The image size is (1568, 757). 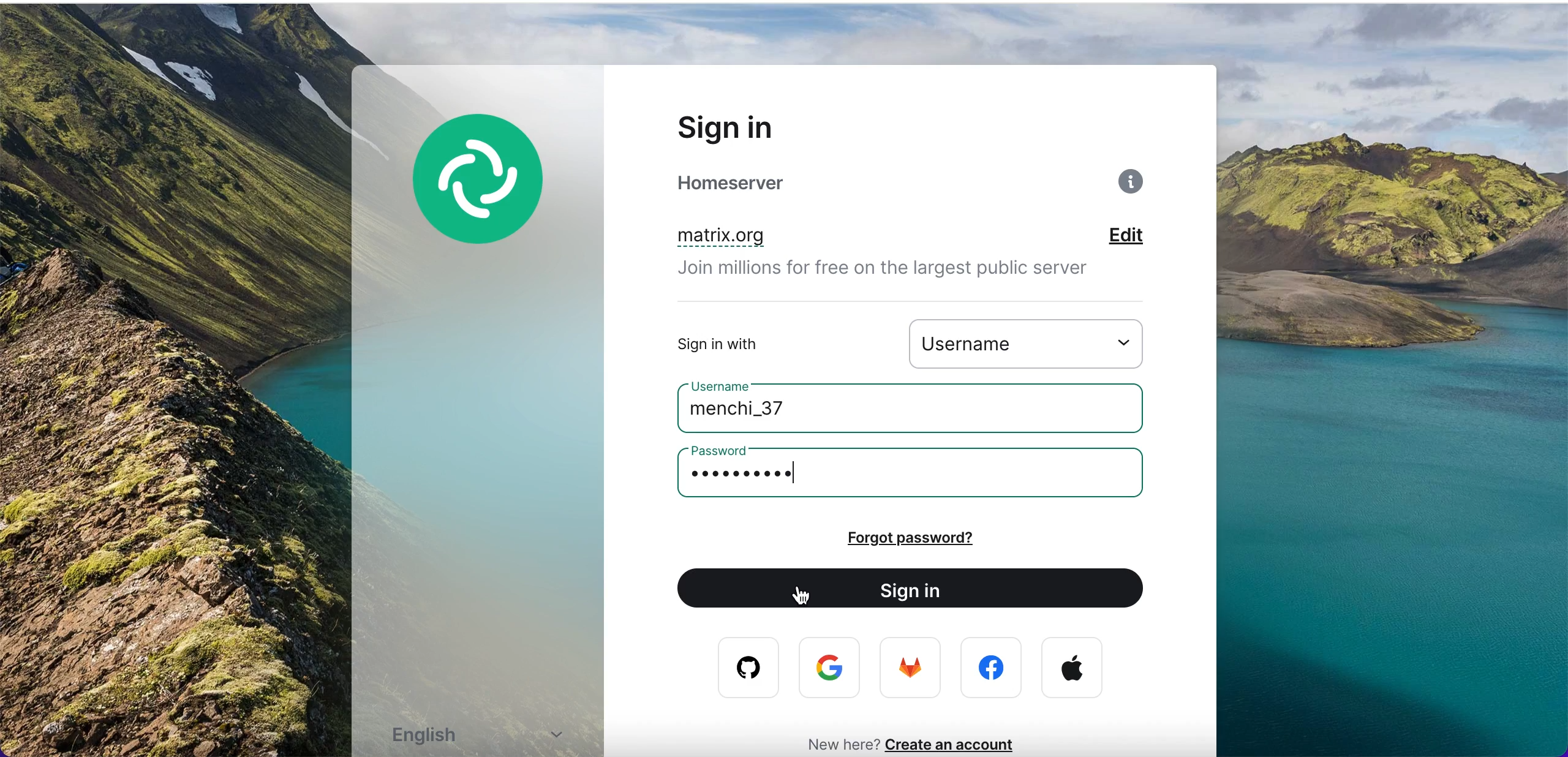 What do you see at coordinates (728, 450) in the screenshot?
I see `password` at bounding box center [728, 450].